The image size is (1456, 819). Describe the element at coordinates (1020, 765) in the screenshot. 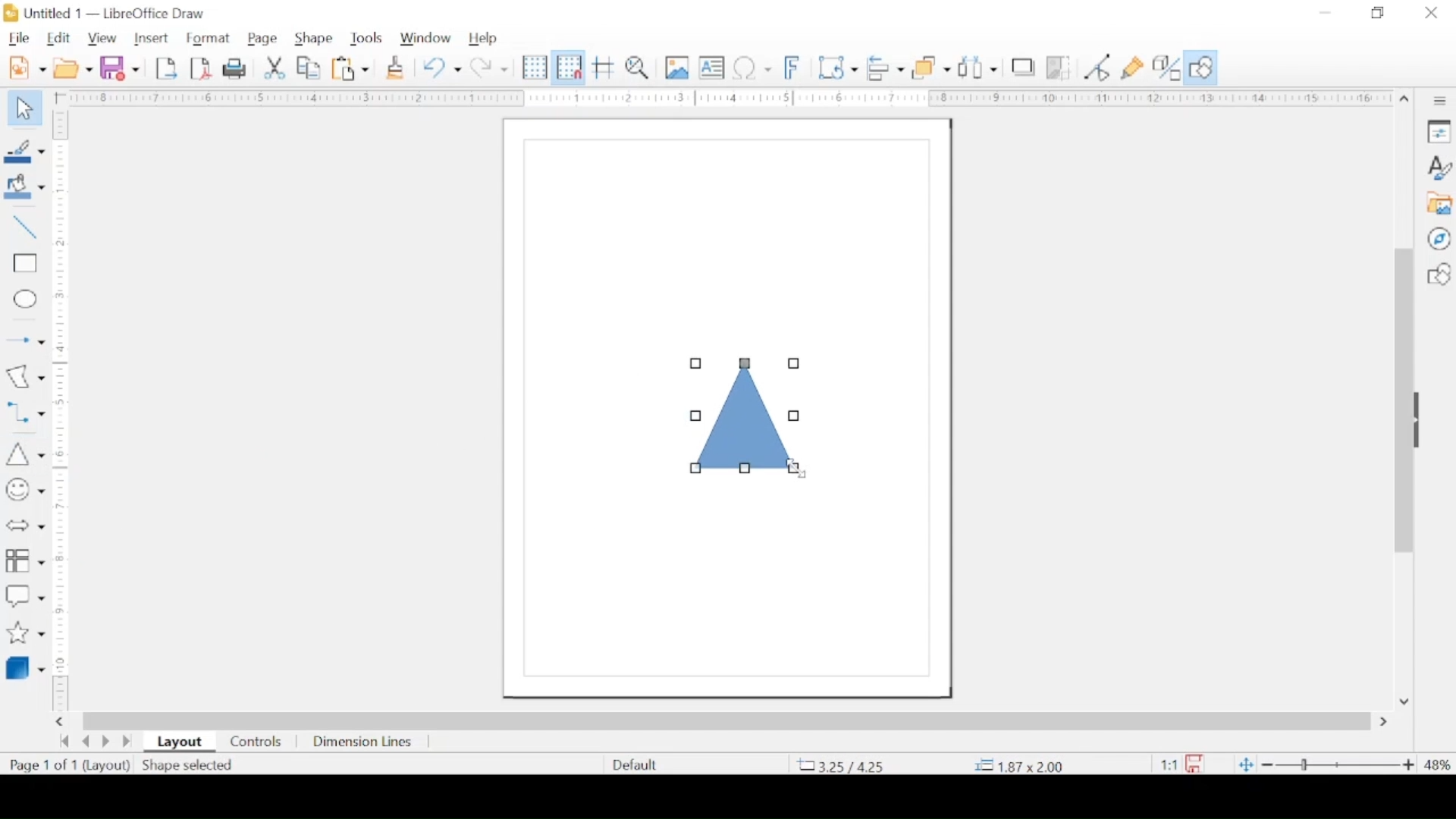

I see `coordinate` at that location.